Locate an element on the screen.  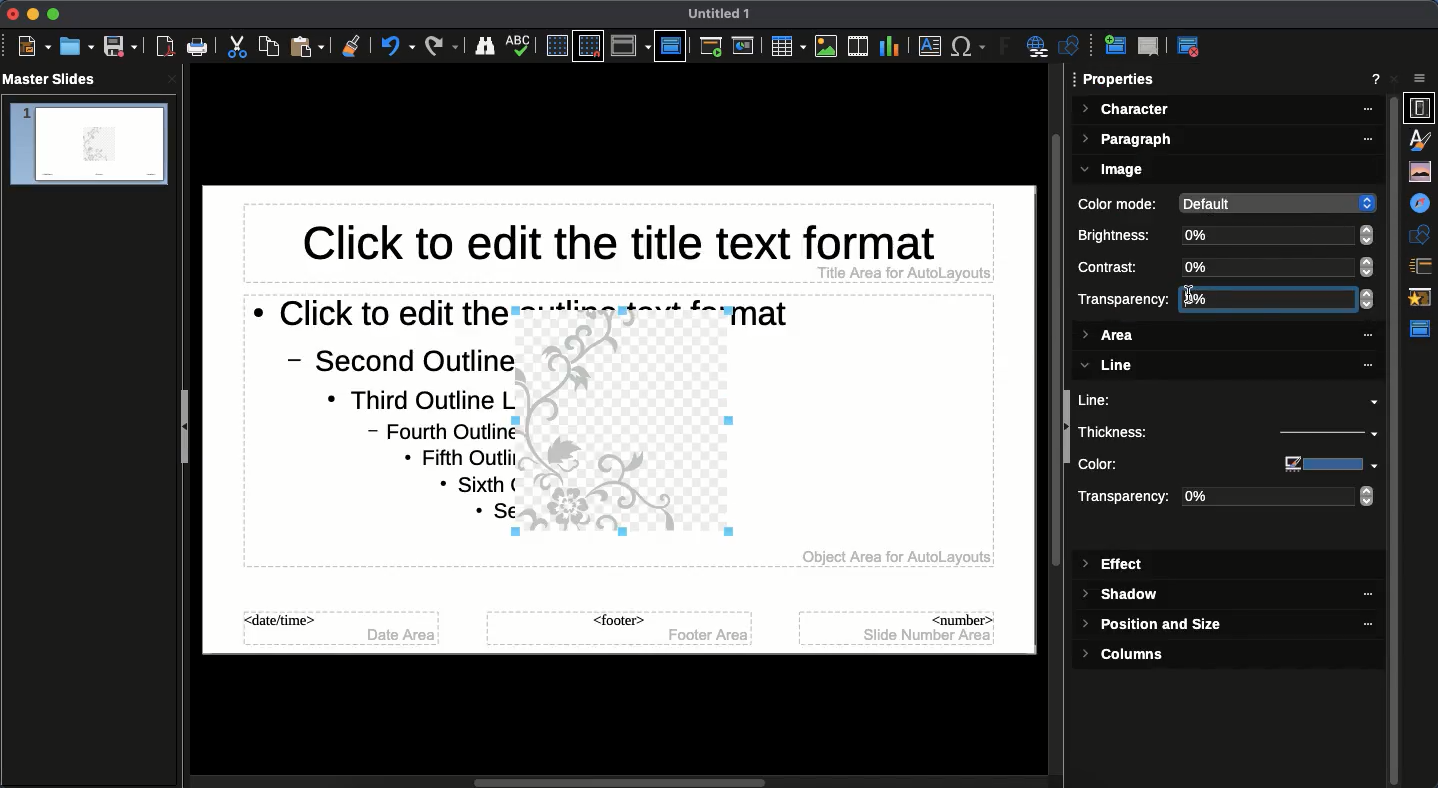
0% is located at coordinates (1280, 498).